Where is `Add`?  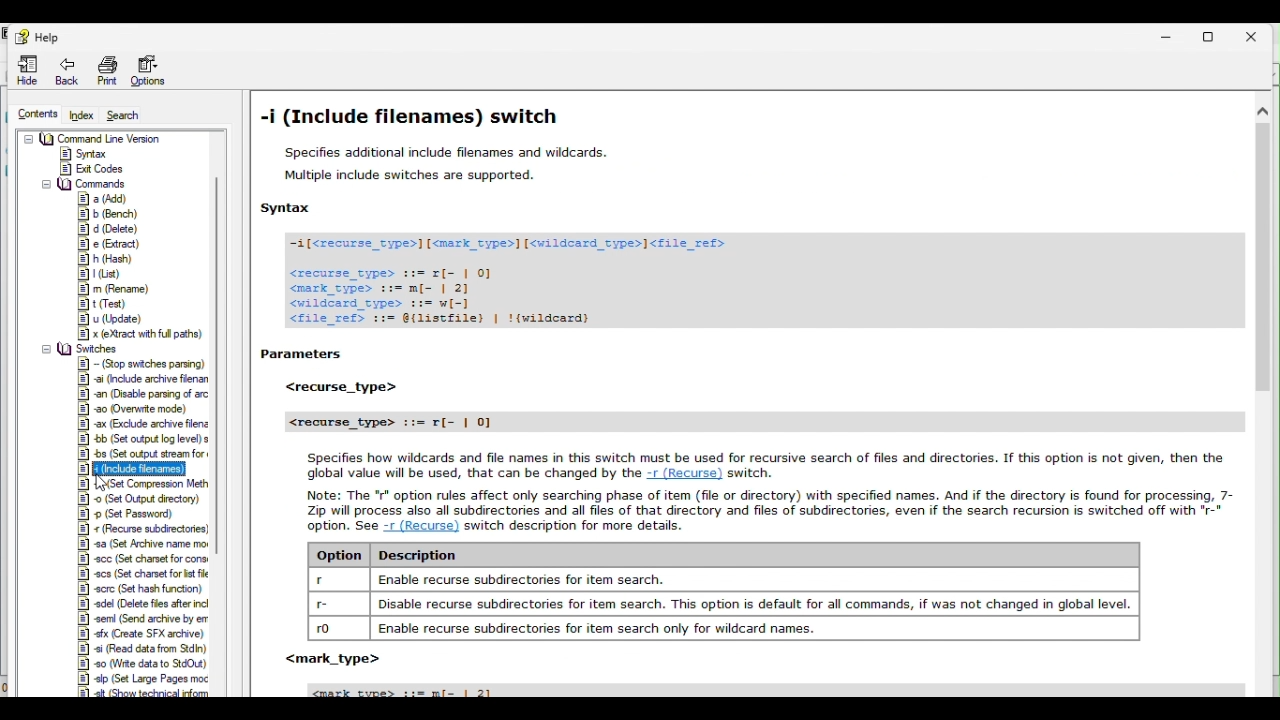 Add is located at coordinates (106, 199).